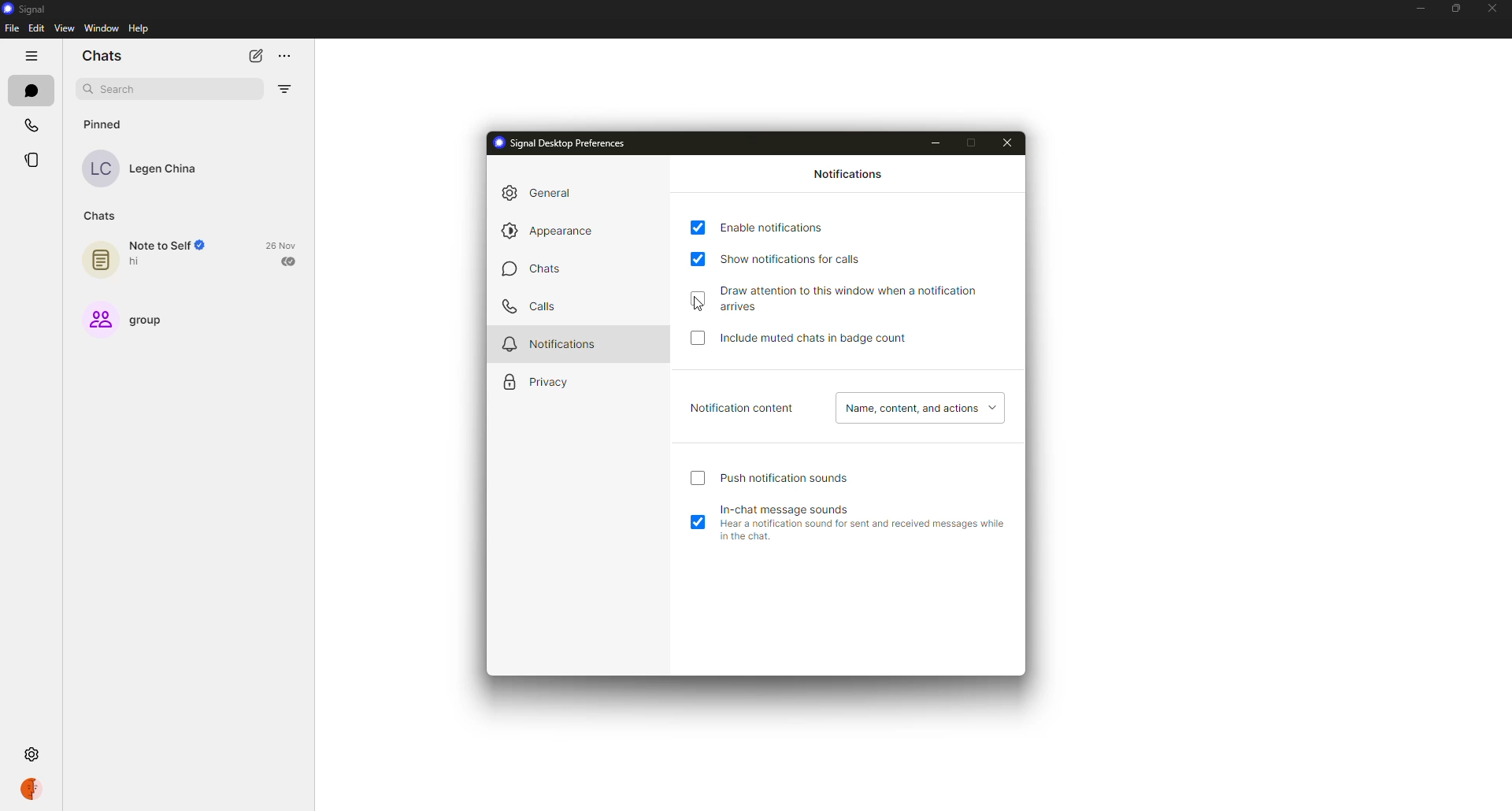 This screenshot has height=811, width=1512. I want to click on search, so click(121, 90).